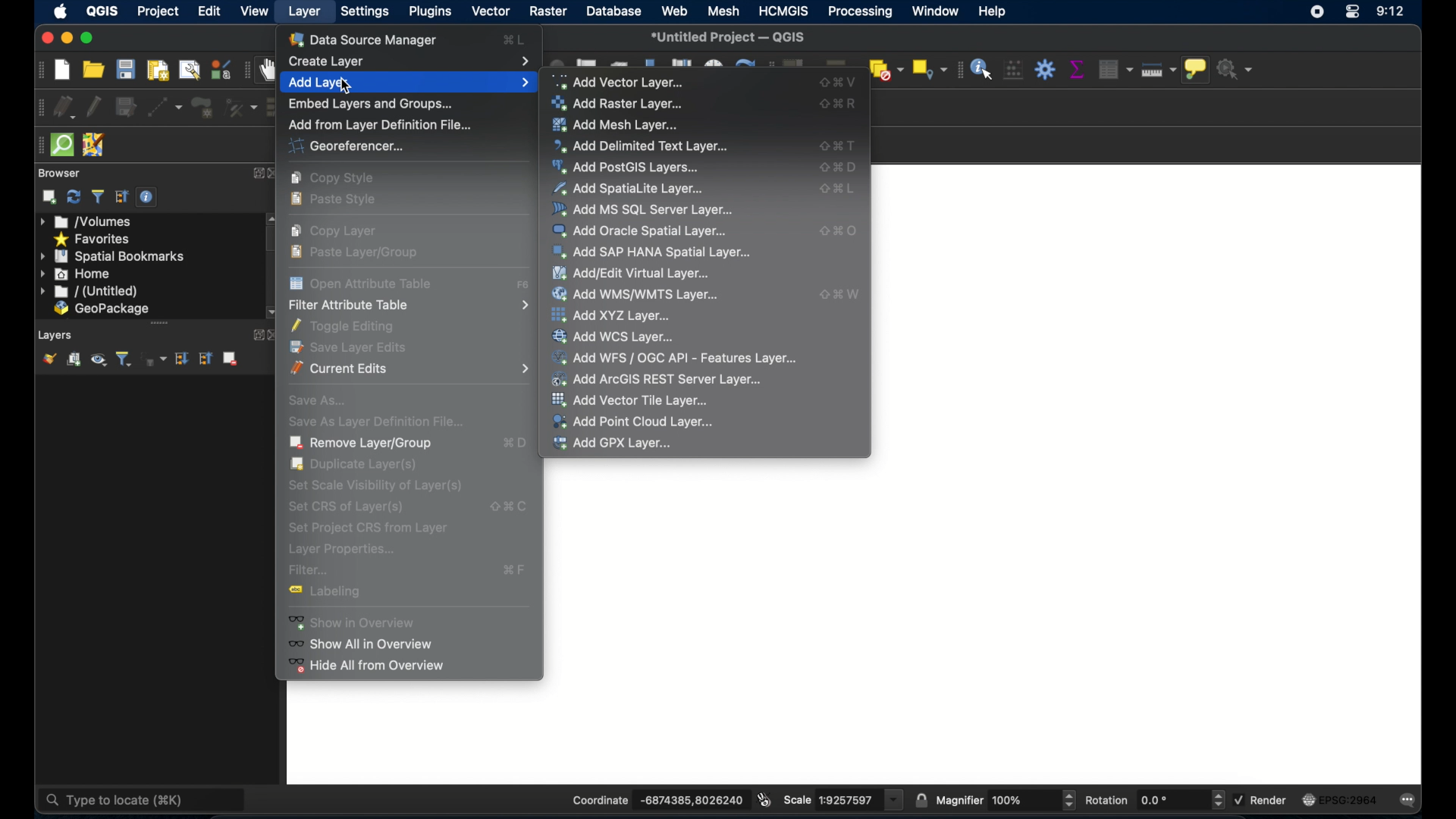  Describe the element at coordinates (413, 444) in the screenshot. I see `Remove Layer/Group` at that location.